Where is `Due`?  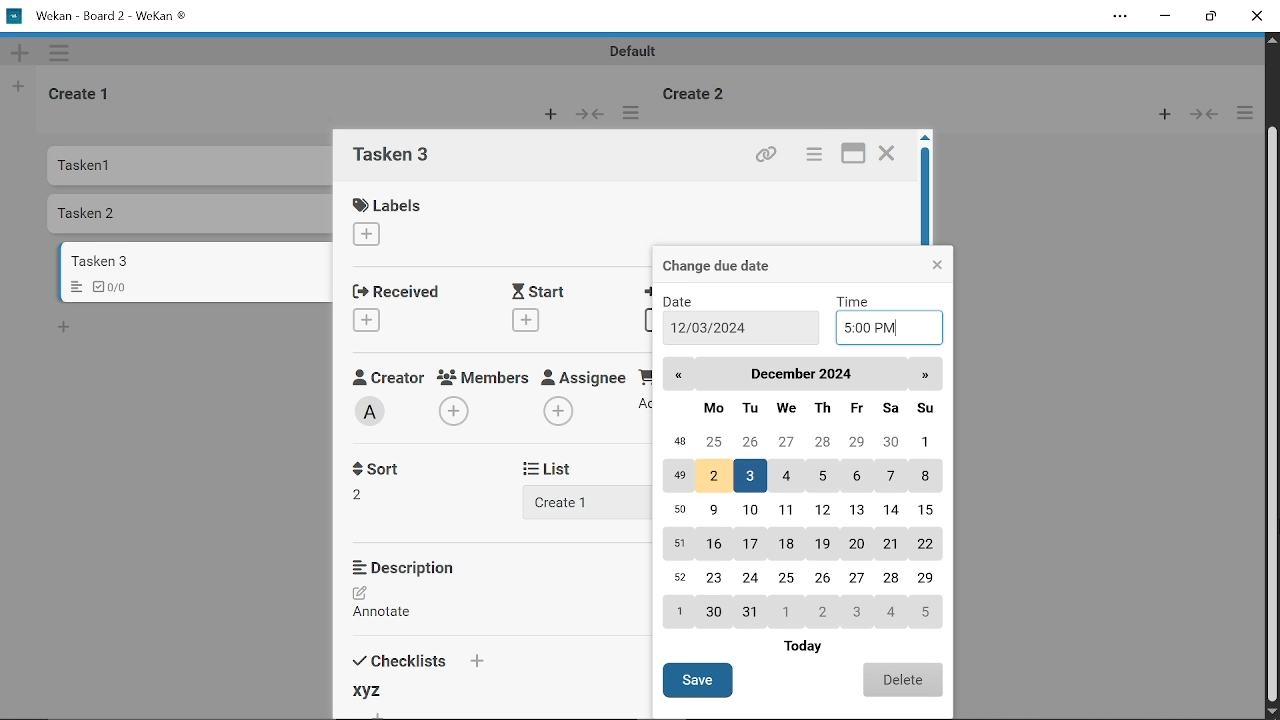
Due is located at coordinates (650, 293).